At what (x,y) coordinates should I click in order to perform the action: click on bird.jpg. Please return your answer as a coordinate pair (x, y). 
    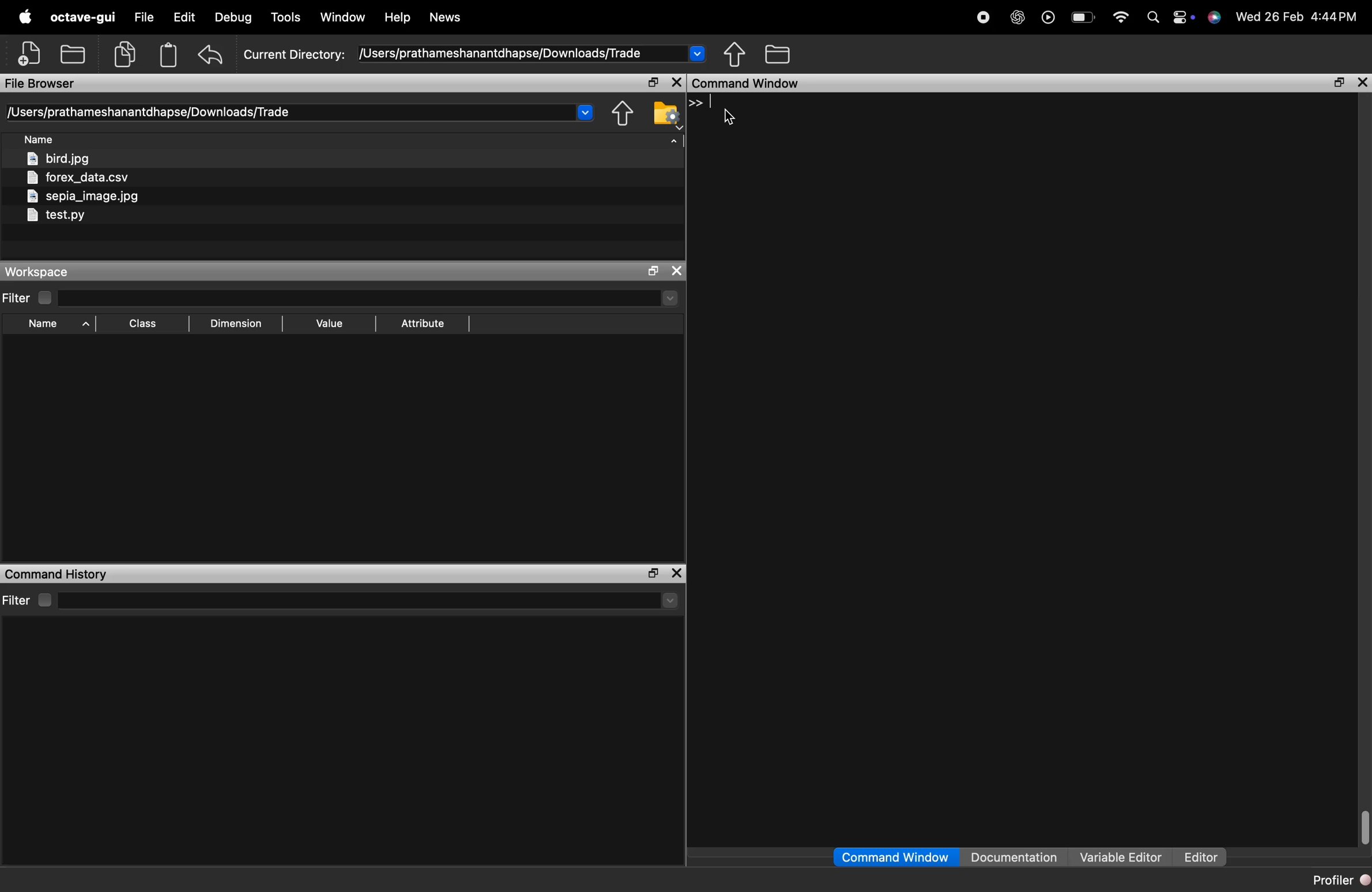
    Looking at the image, I should click on (59, 158).